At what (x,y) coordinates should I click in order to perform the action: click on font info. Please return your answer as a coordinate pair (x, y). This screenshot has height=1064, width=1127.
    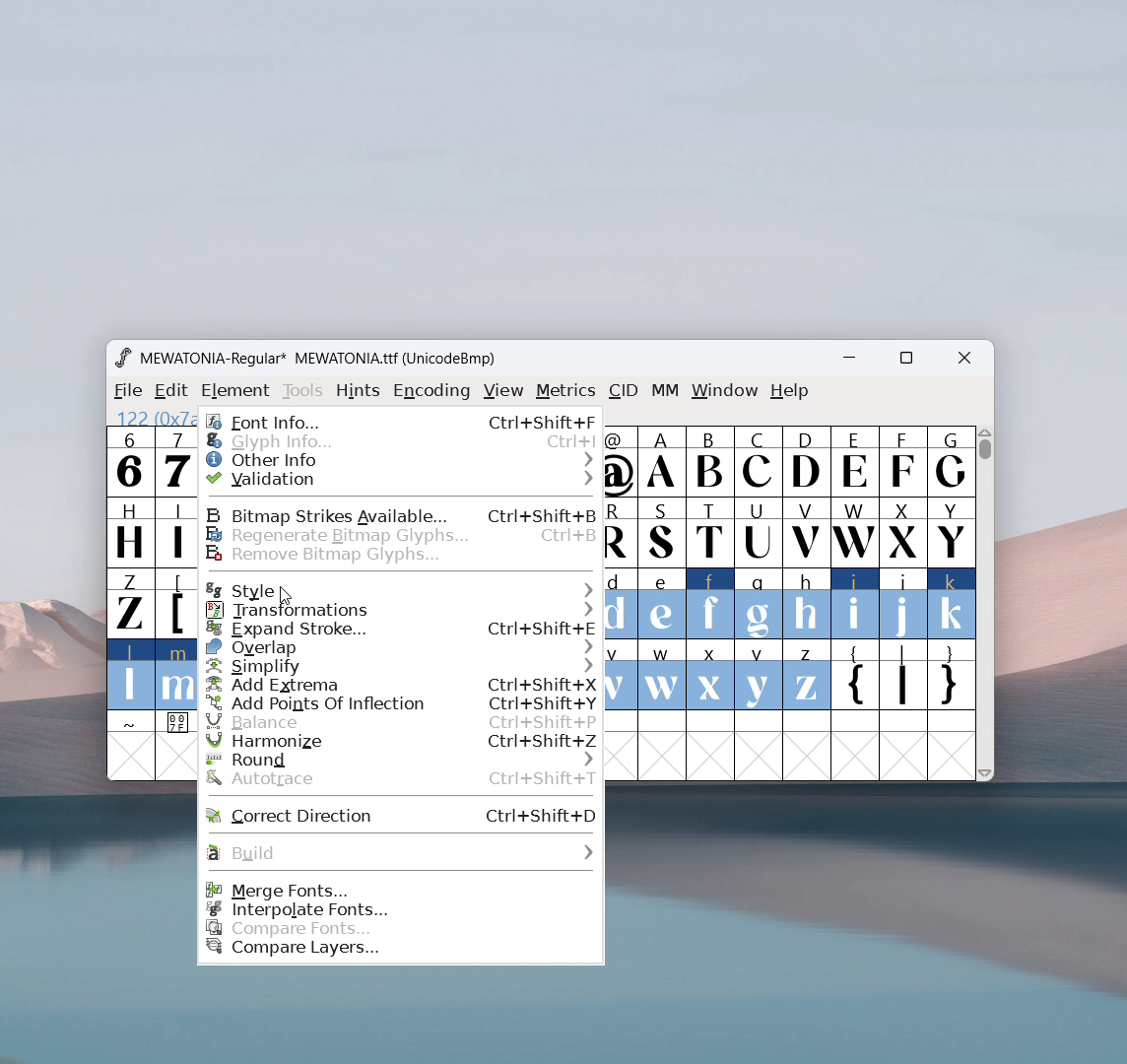
    Looking at the image, I should click on (401, 420).